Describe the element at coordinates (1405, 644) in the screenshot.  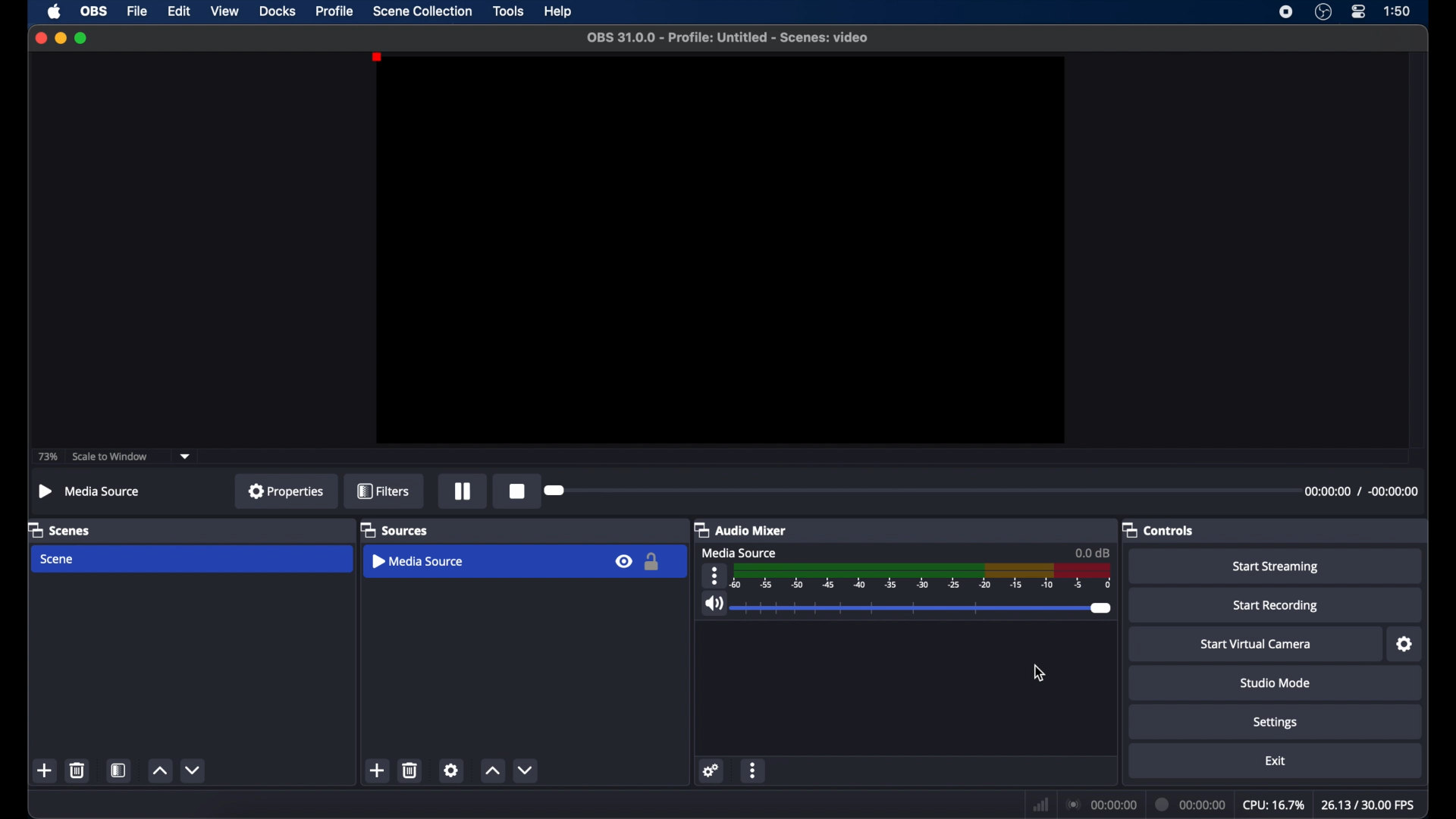
I see `settings` at that location.